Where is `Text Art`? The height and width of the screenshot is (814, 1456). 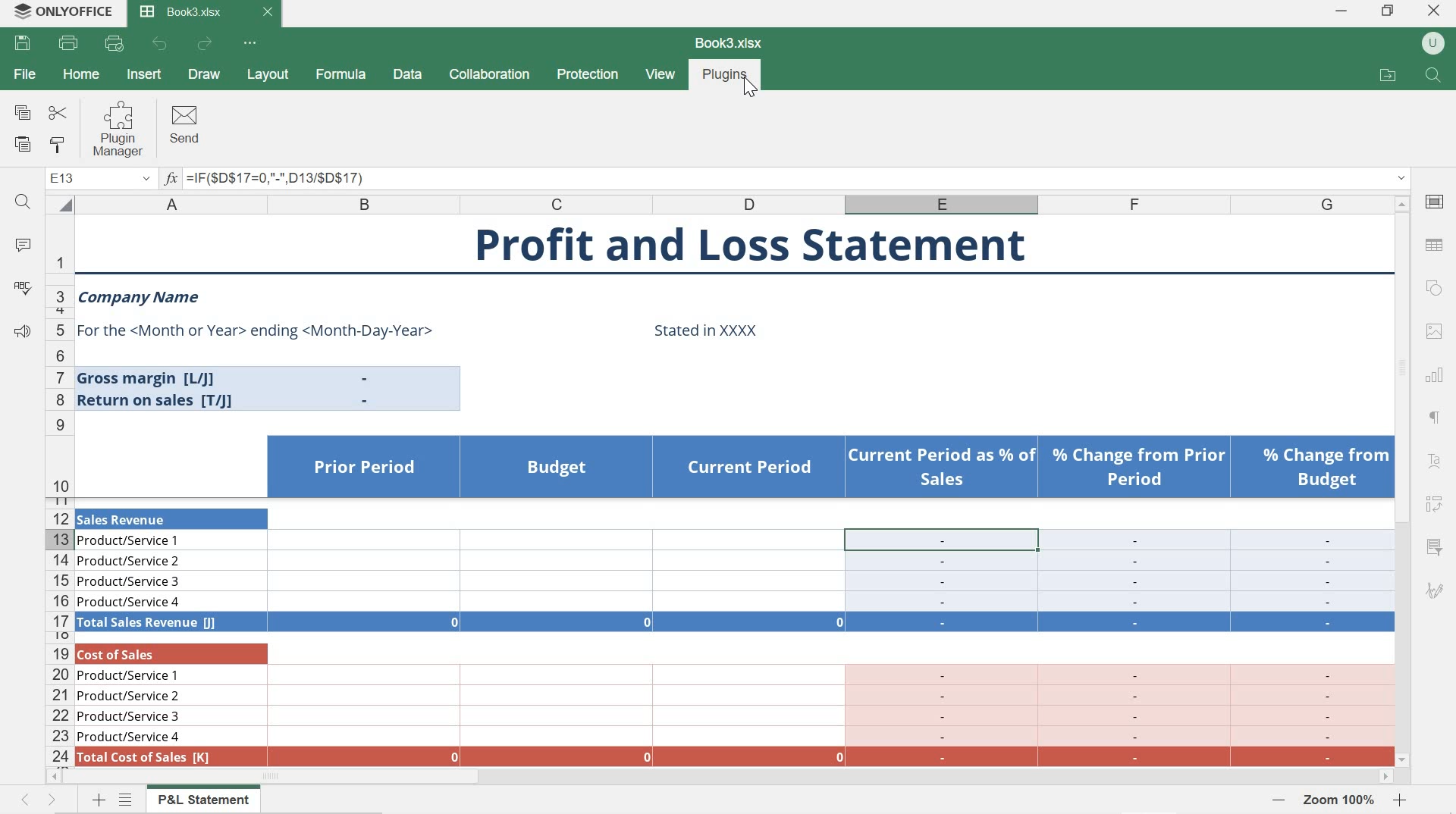
Text Art is located at coordinates (1430, 464).